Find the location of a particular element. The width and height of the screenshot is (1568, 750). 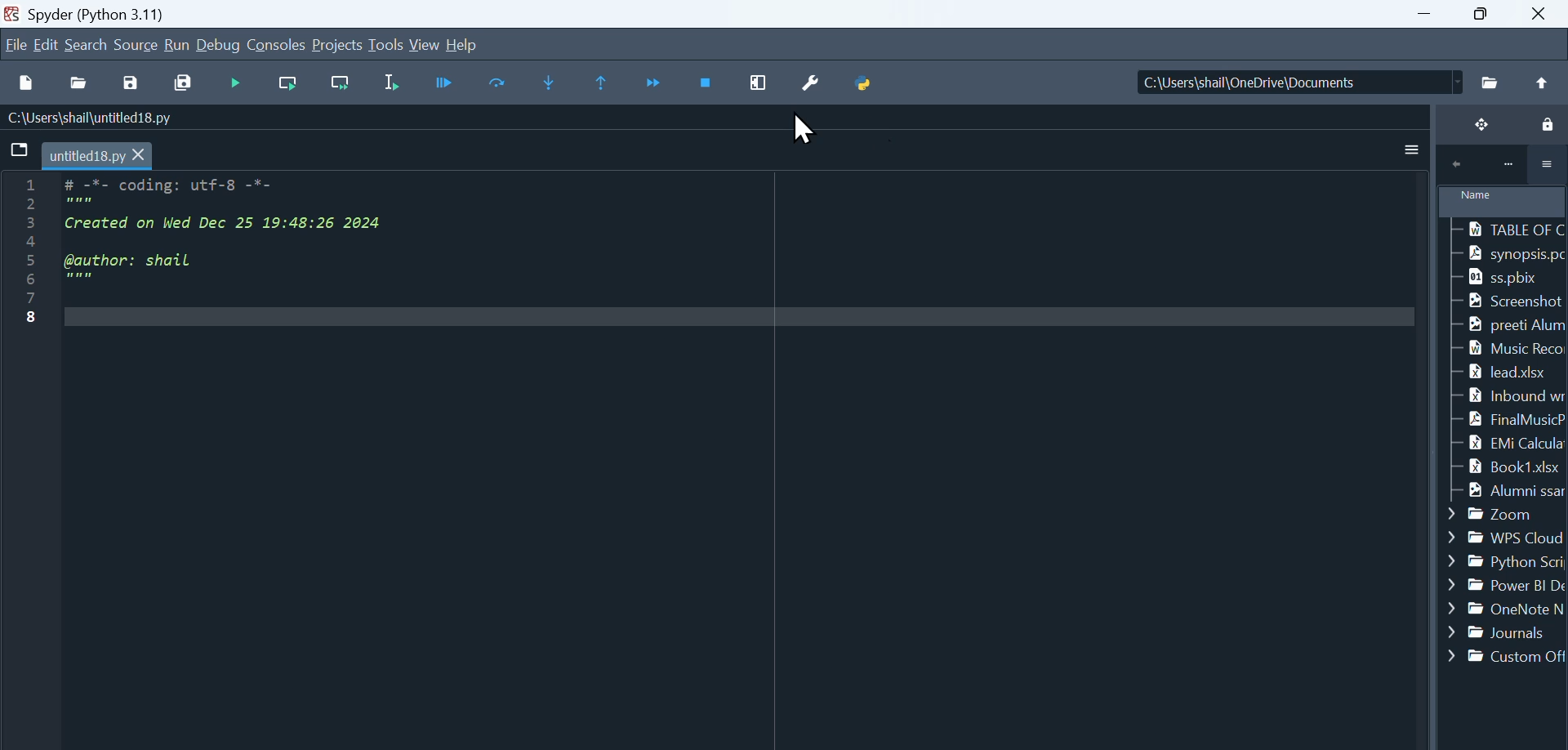

open parent directory is located at coordinates (1544, 83).